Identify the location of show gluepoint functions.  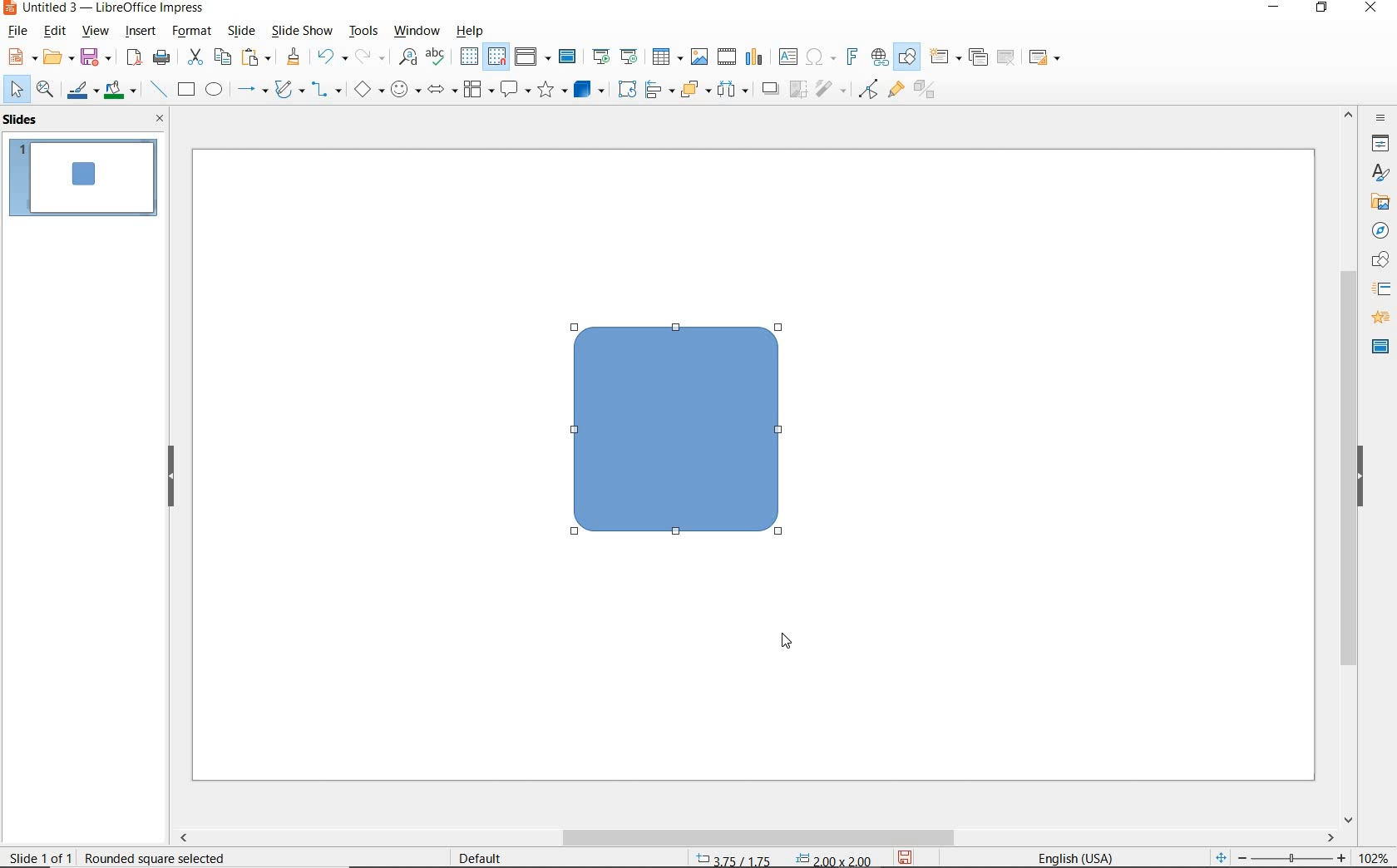
(895, 91).